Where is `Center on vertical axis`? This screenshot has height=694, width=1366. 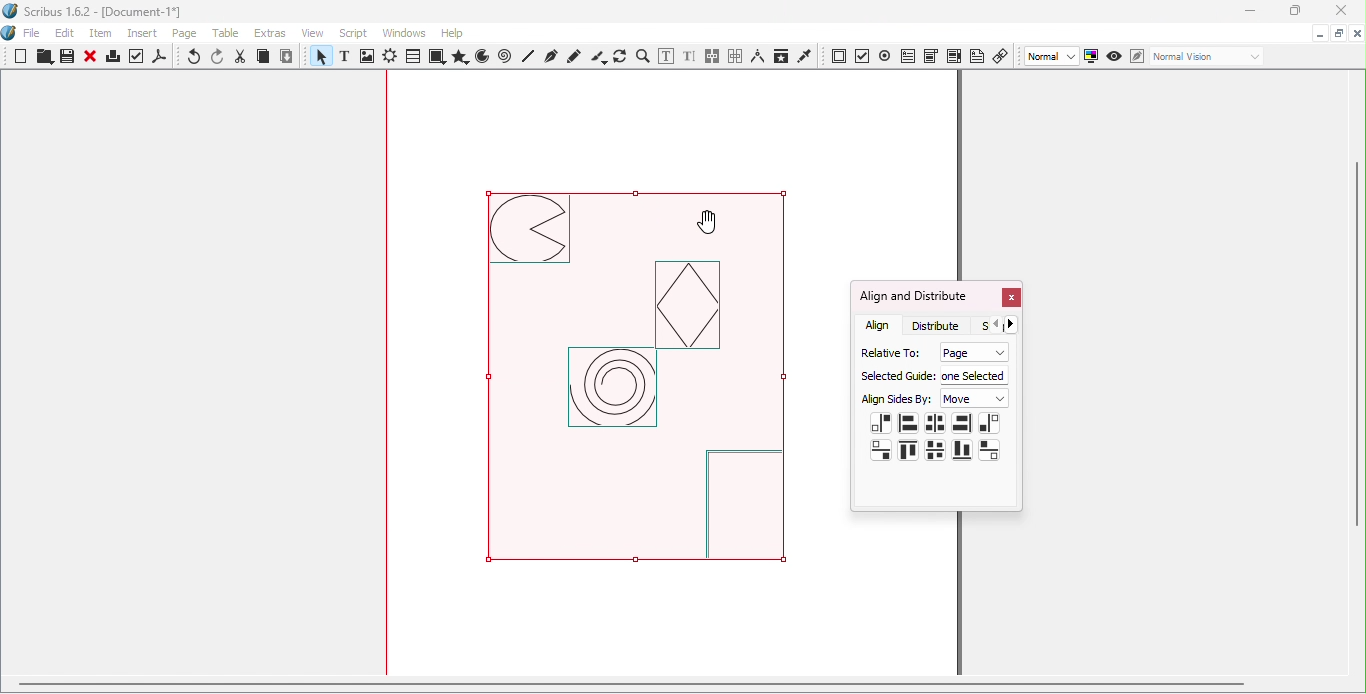 Center on vertical axis is located at coordinates (934, 423).